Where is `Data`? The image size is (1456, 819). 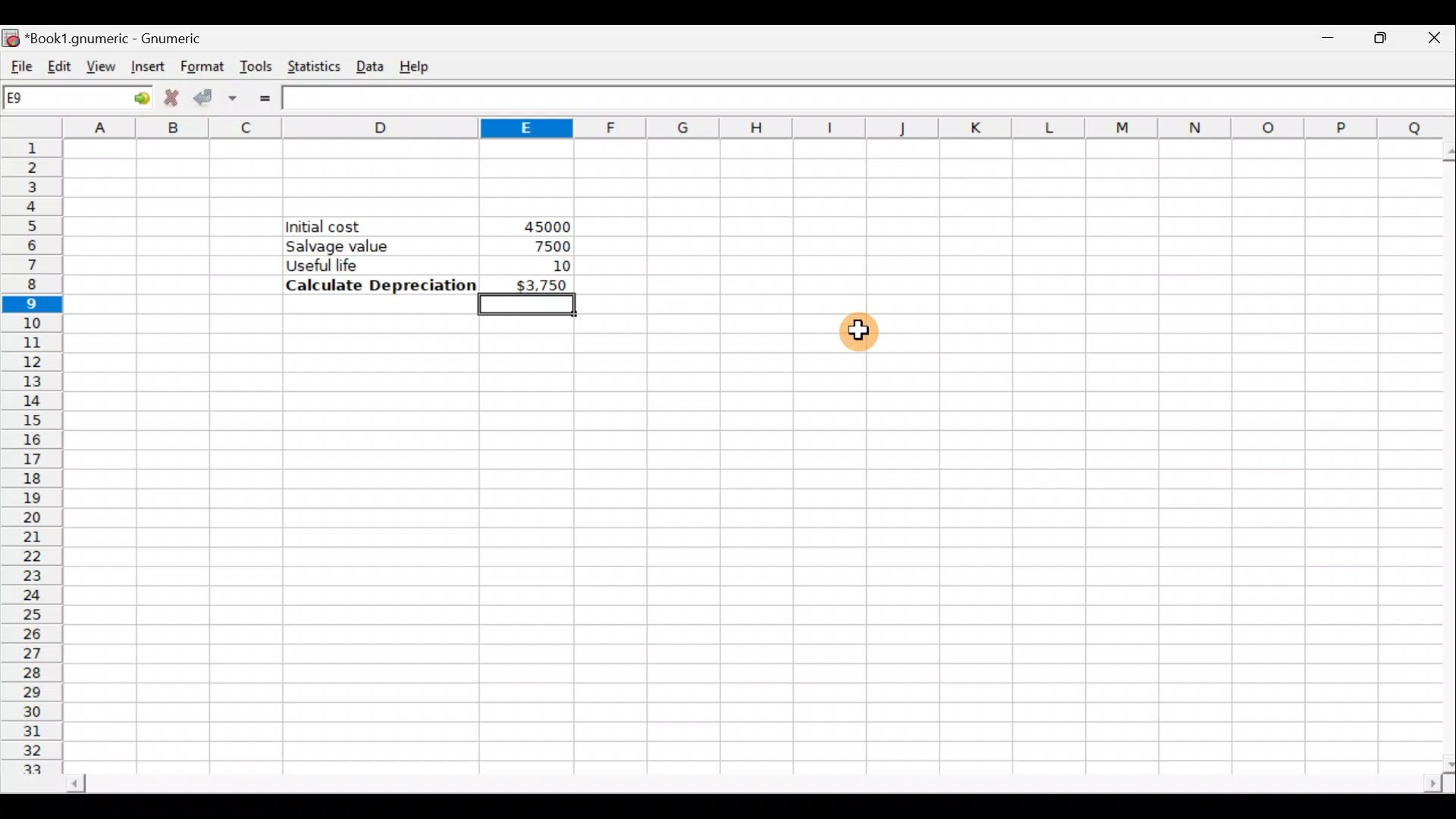 Data is located at coordinates (372, 64).